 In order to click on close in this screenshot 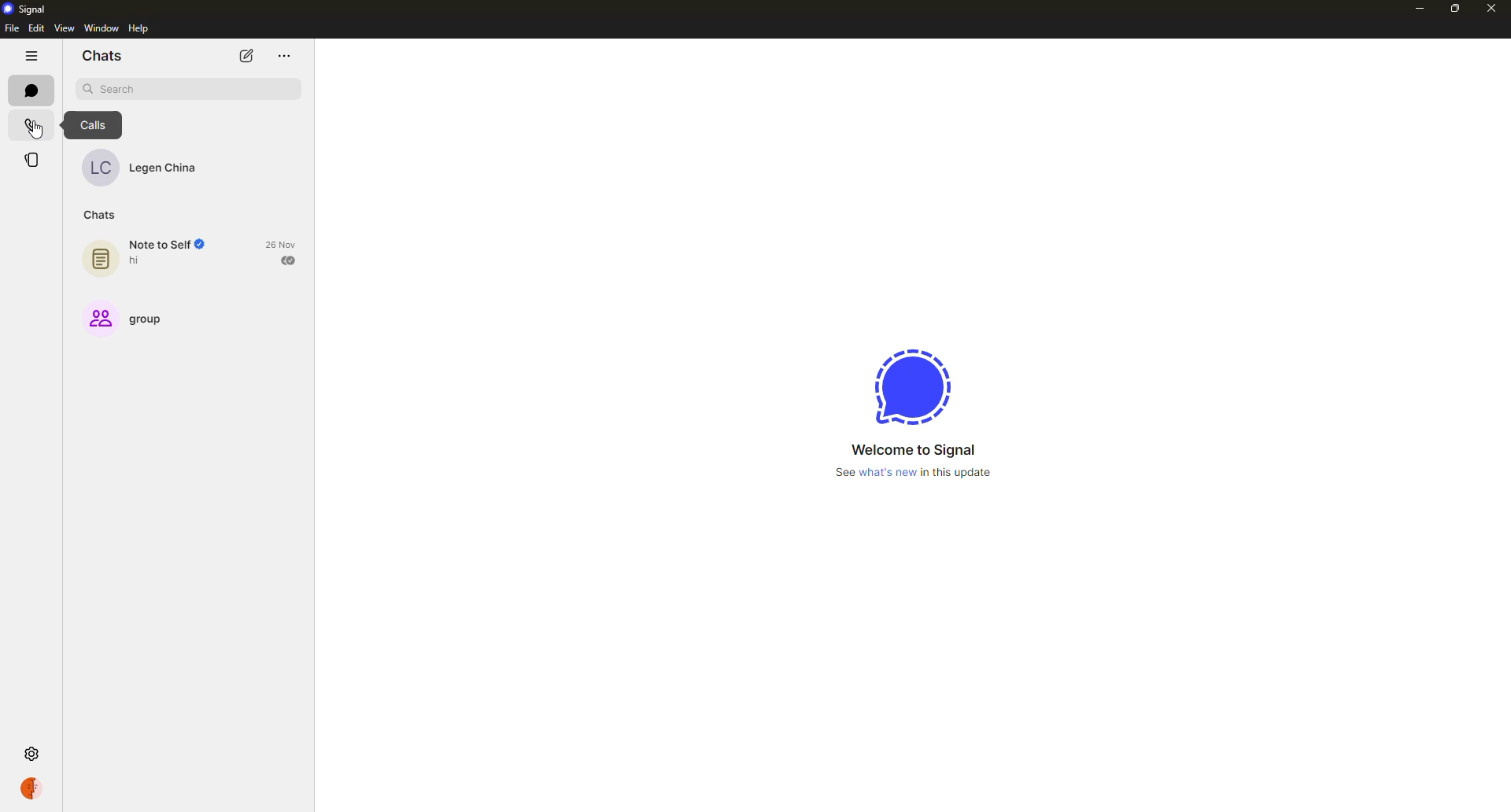, I will do `click(1493, 8)`.